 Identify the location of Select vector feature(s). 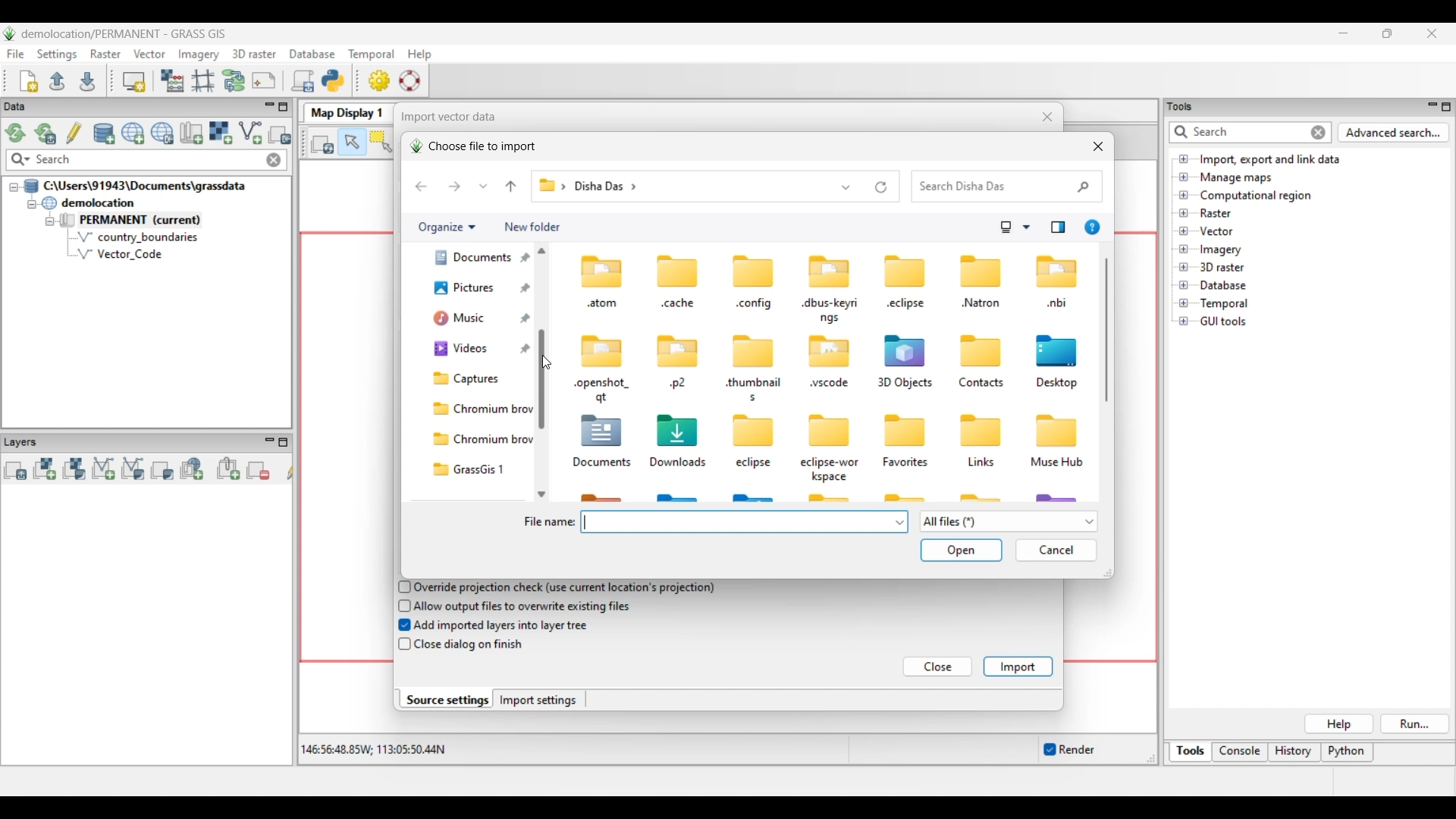
(381, 143).